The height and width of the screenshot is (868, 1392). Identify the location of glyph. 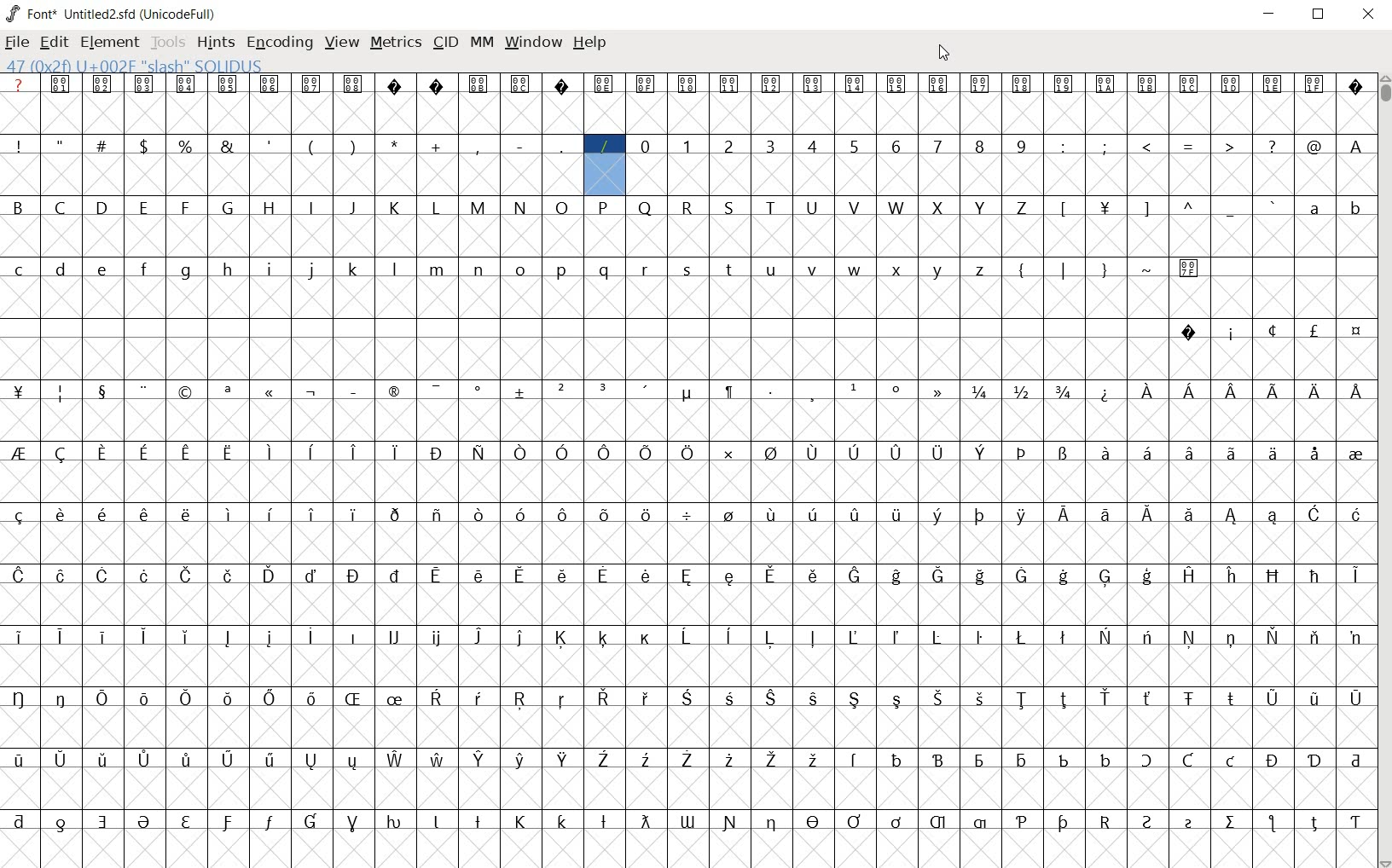
(478, 760).